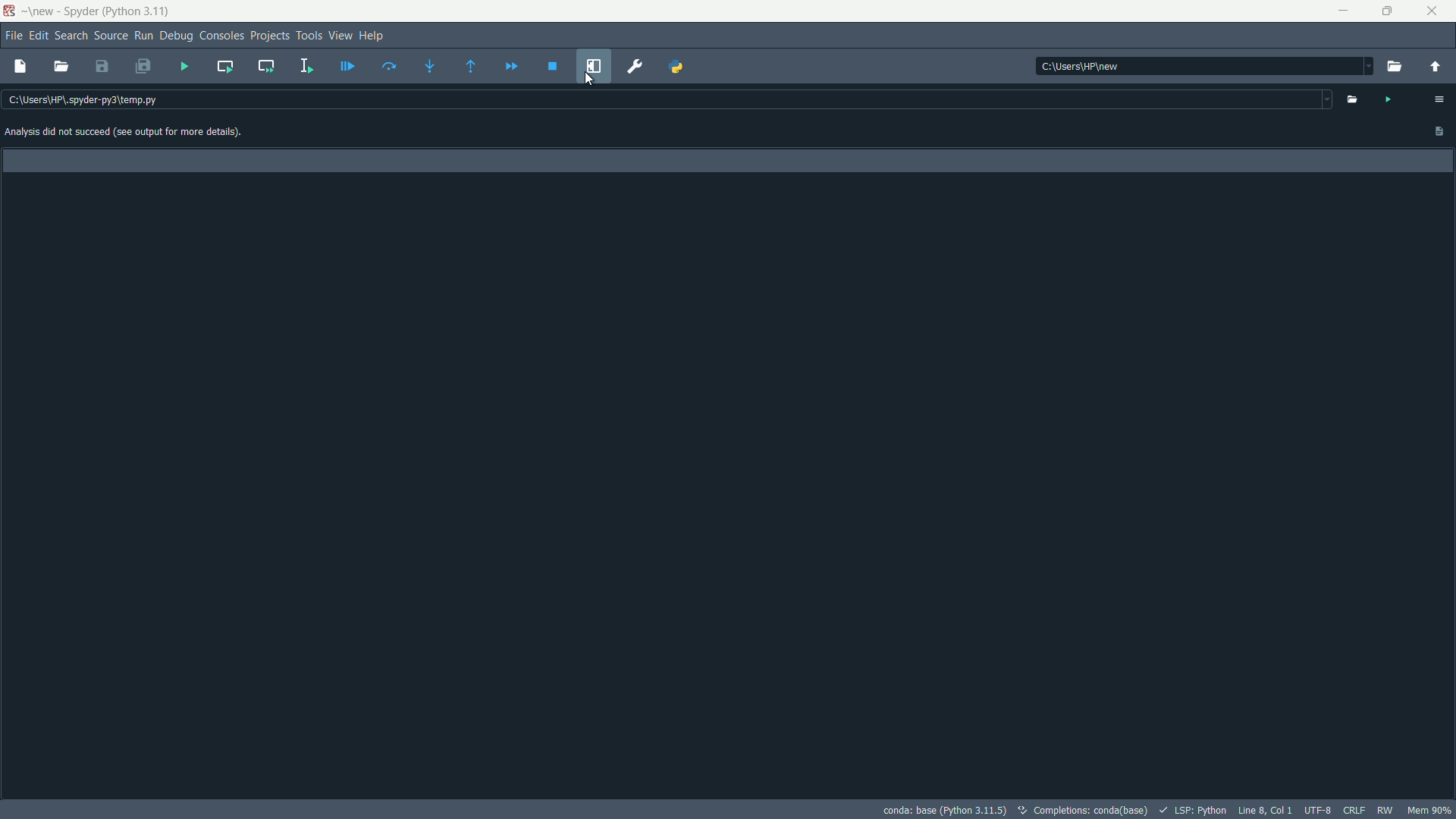  What do you see at coordinates (219, 35) in the screenshot?
I see `consoles menu` at bounding box center [219, 35].